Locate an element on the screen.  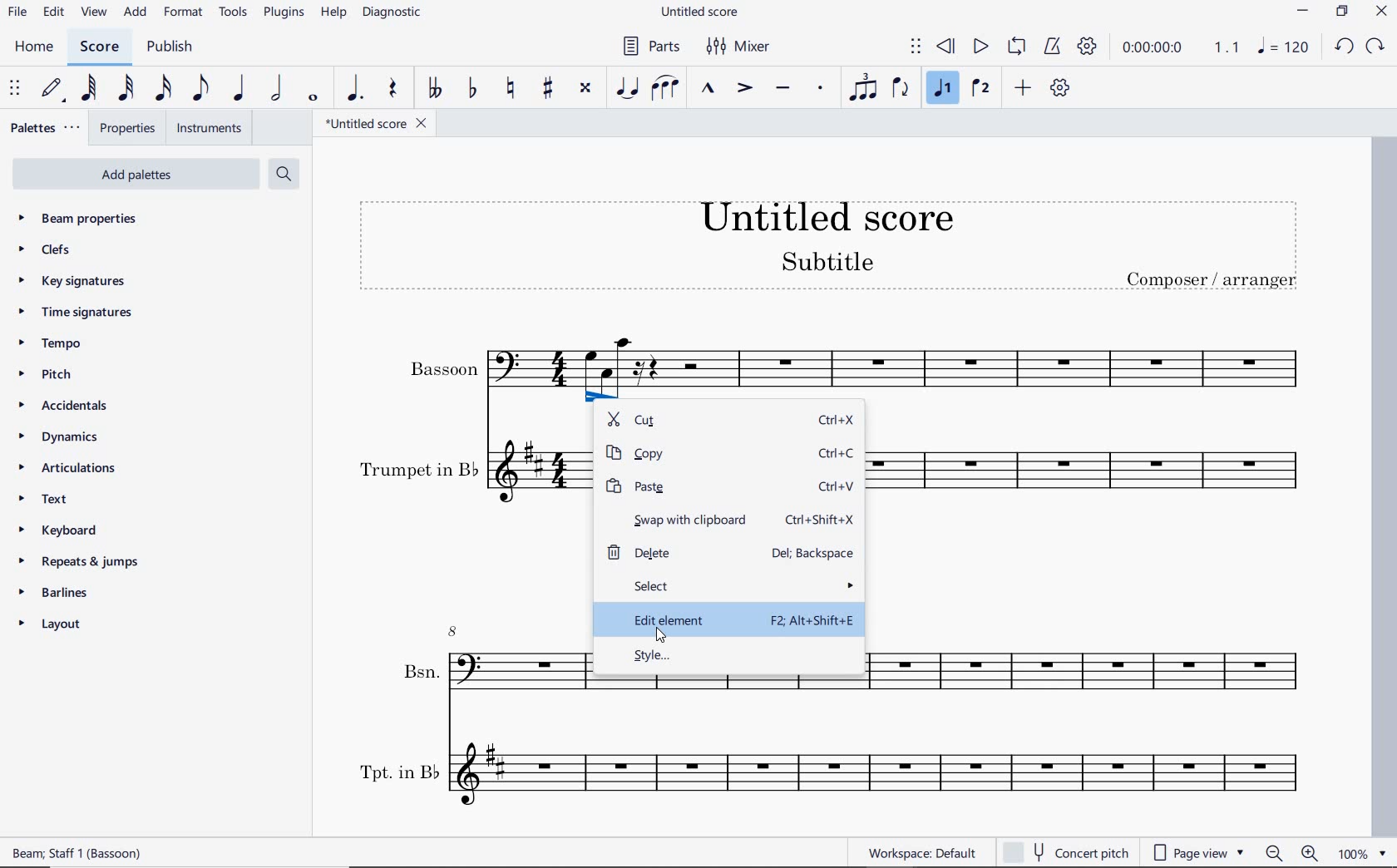
quarter note is located at coordinates (239, 89).